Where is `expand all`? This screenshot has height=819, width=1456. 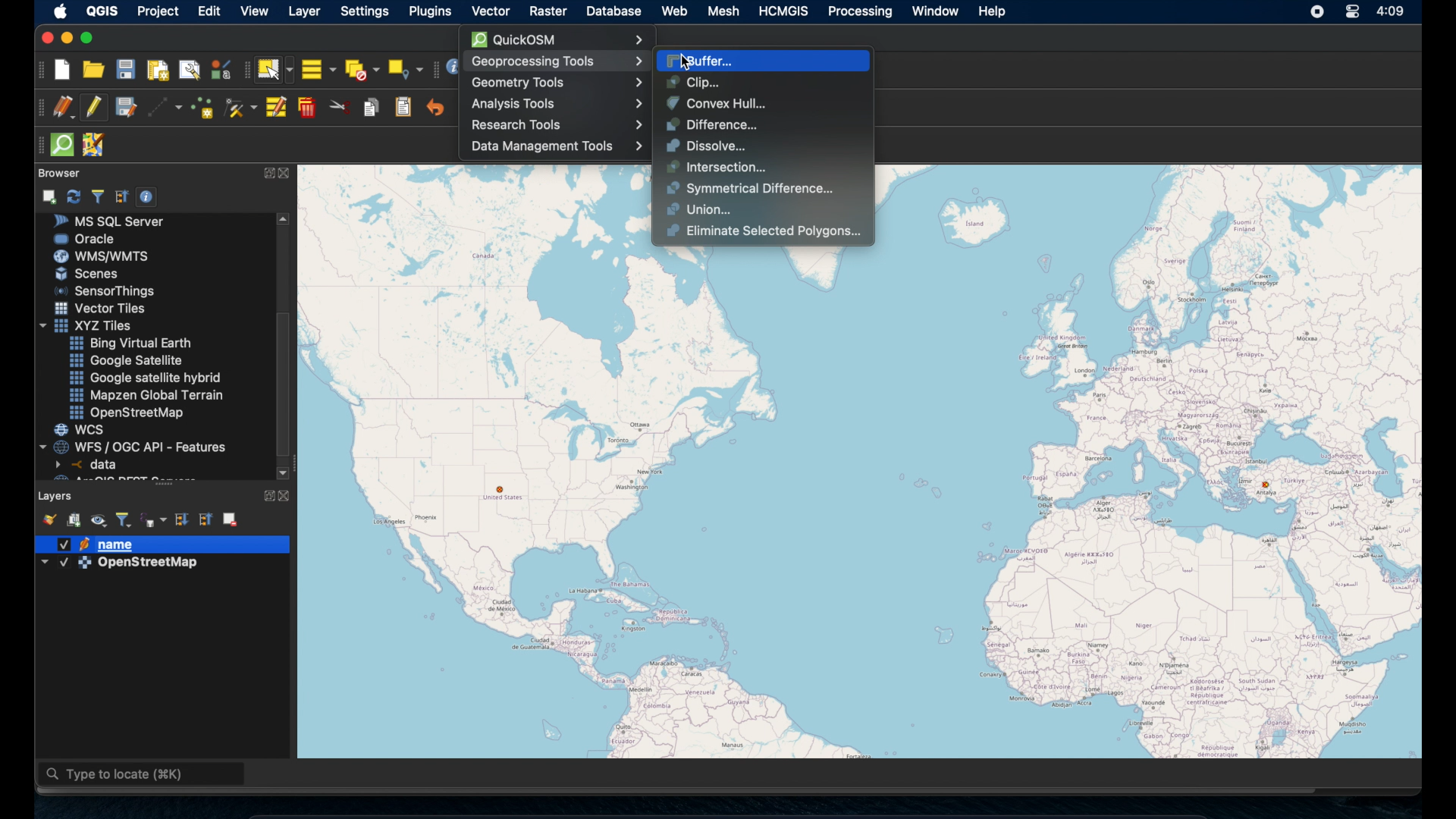
expand all is located at coordinates (180, 518).